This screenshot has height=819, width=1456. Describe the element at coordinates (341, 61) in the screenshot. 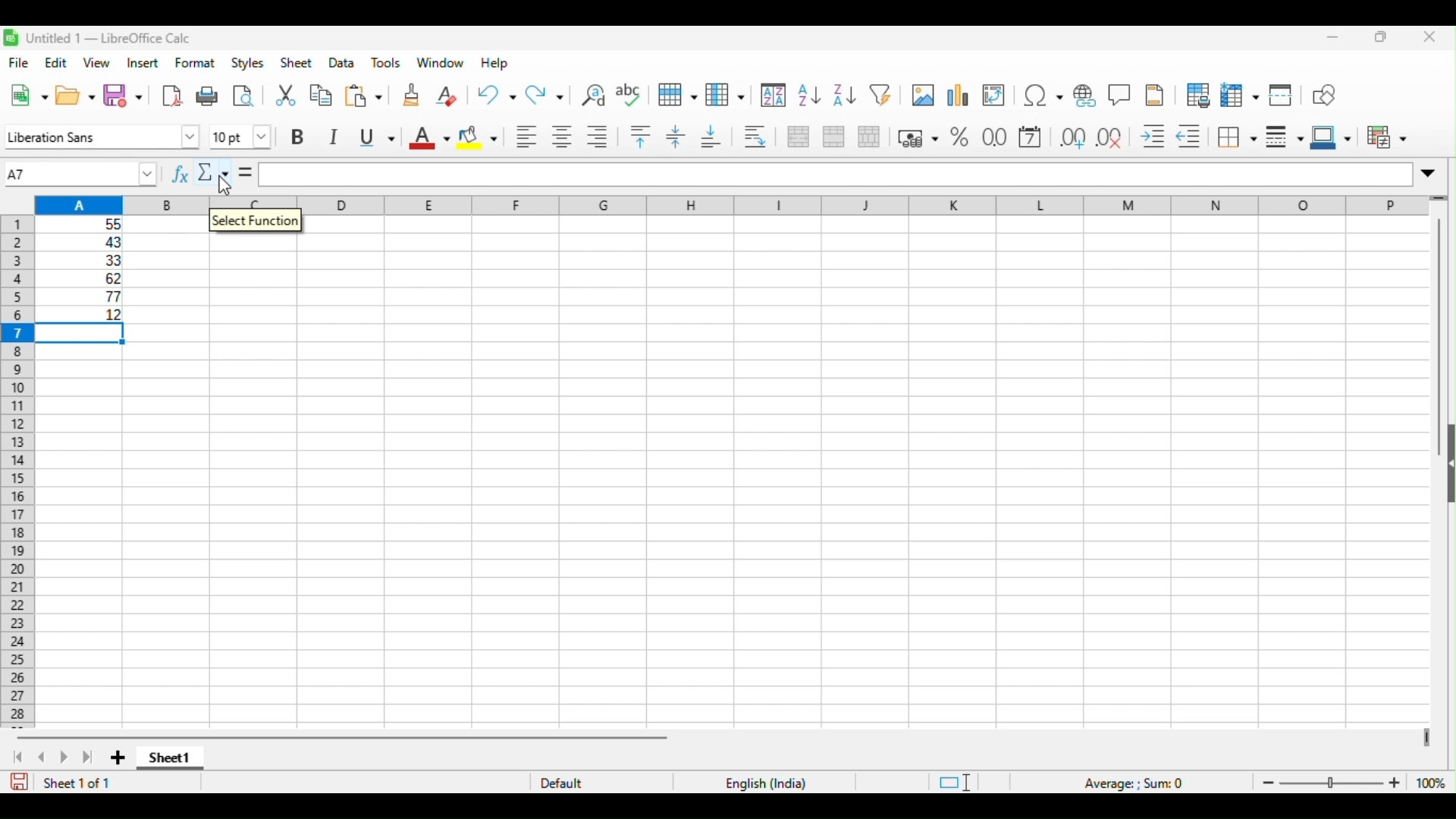

I see `data` at that location.